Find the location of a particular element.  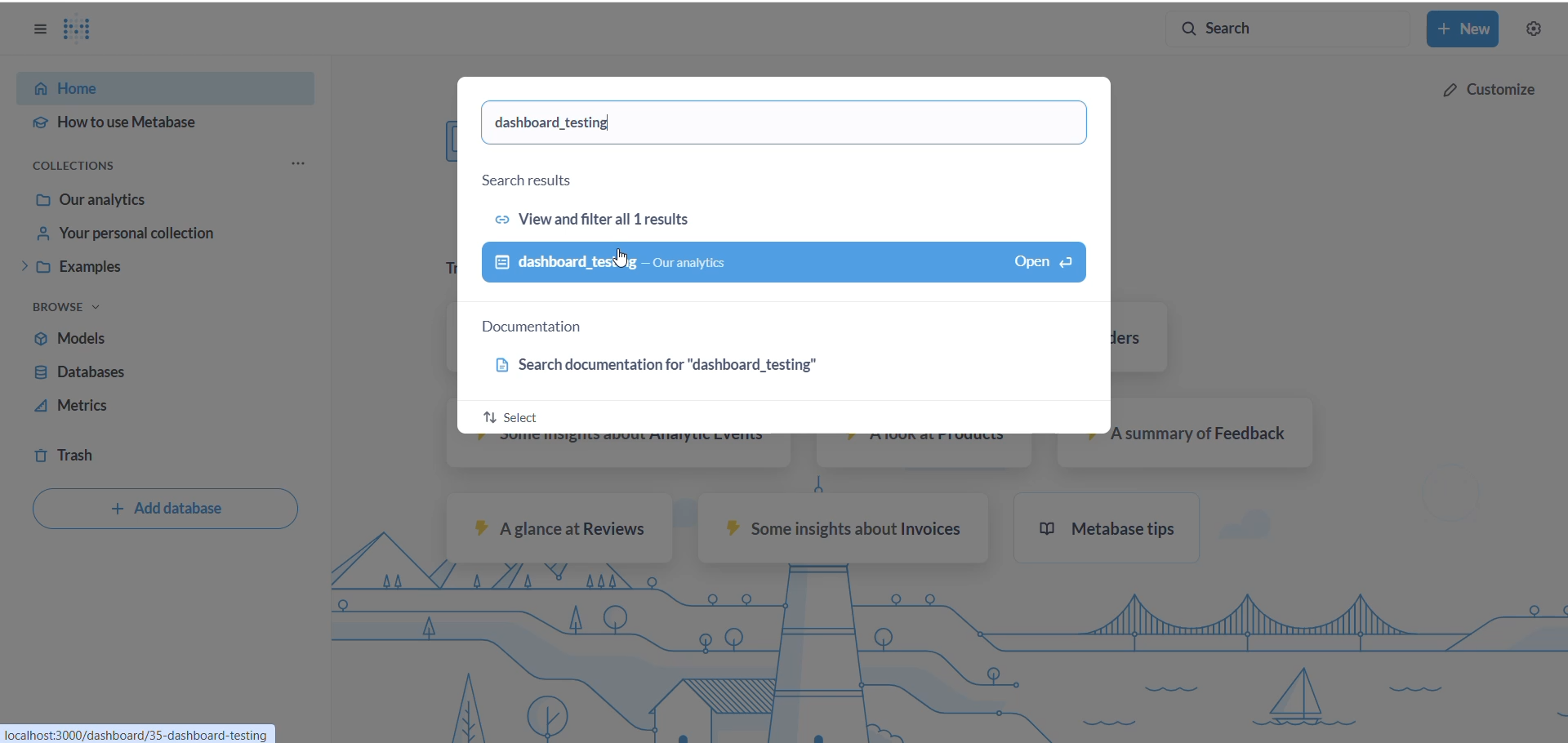

some insights about invoices sample is located at coordinates (840, 532).